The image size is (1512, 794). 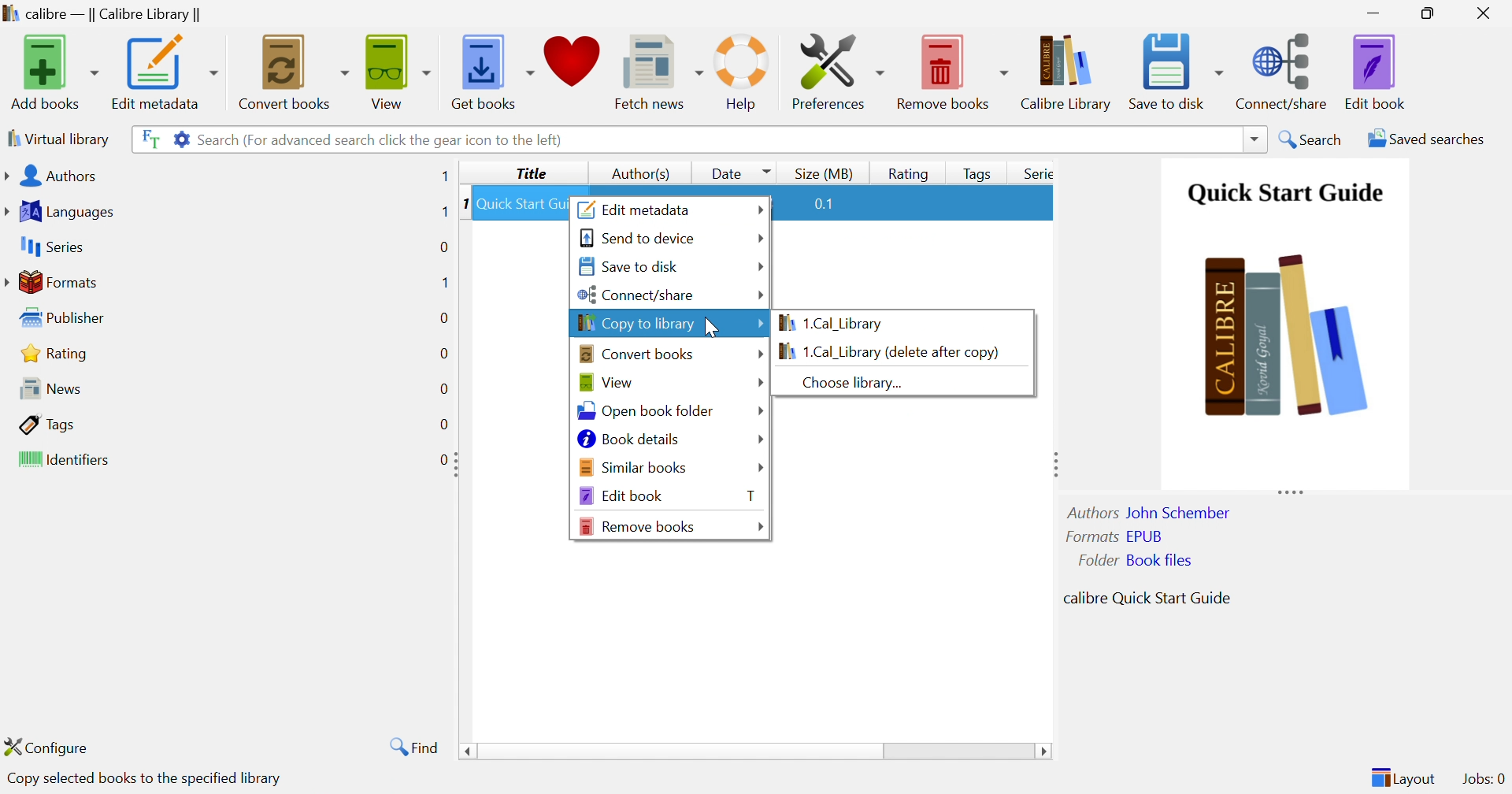 What do you see at coordinates (844, 383) in the screenshot?
I see `Choose library...` at bounding box center [844, 383].